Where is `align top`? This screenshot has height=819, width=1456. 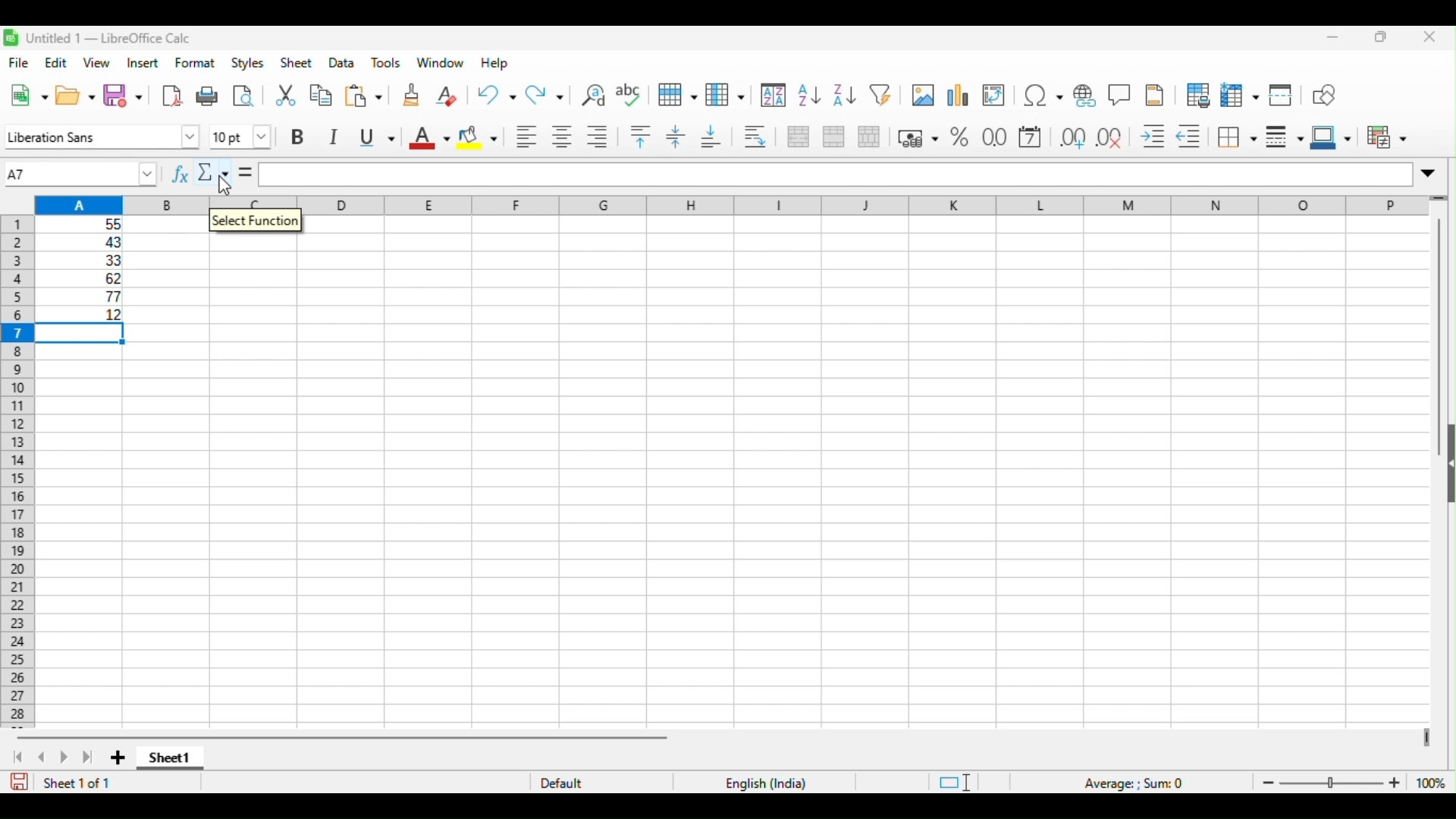 align top is located at coordinates (642, 136).